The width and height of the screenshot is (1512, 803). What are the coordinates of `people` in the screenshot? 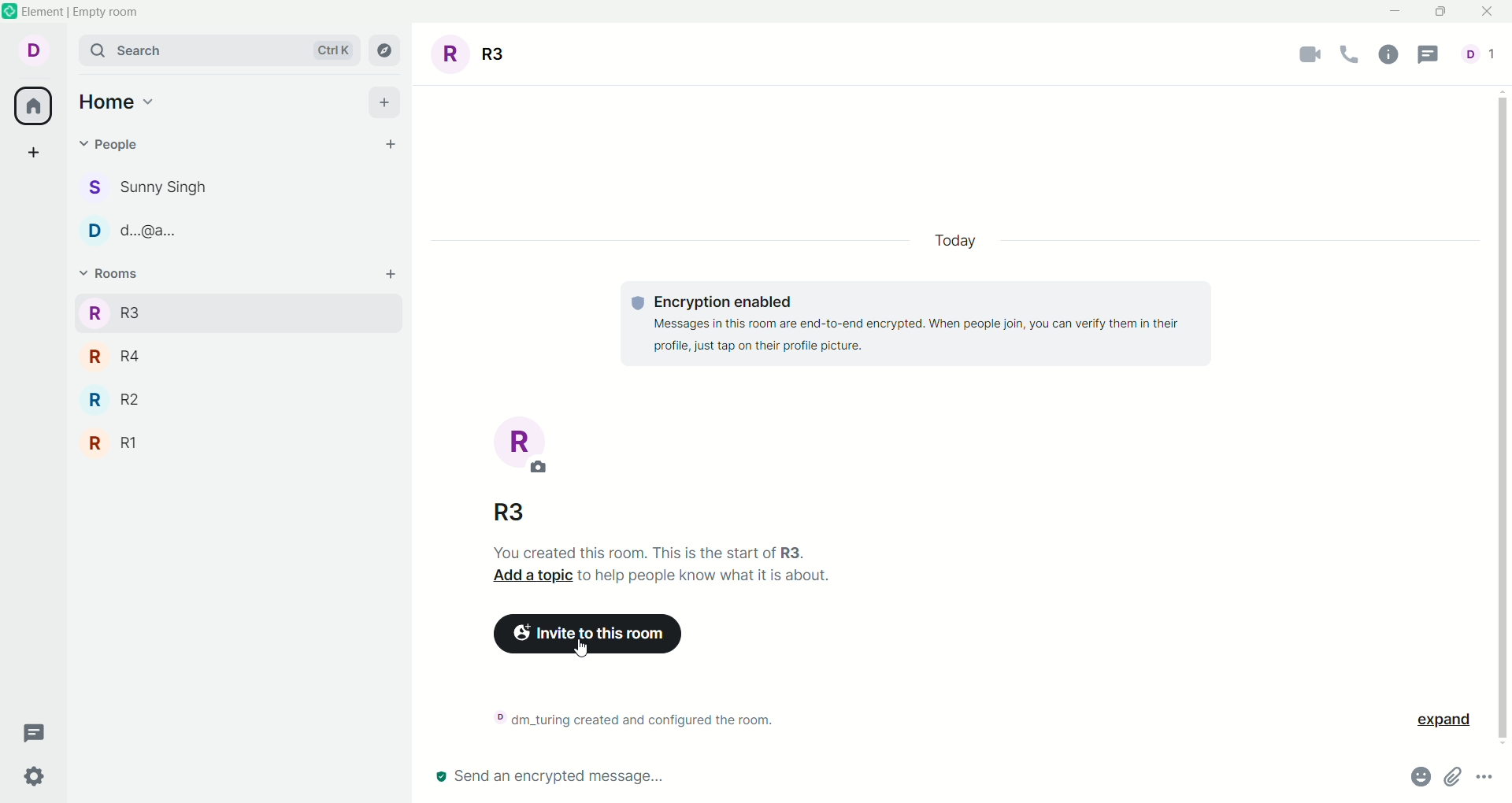 It's located at (109, 148).